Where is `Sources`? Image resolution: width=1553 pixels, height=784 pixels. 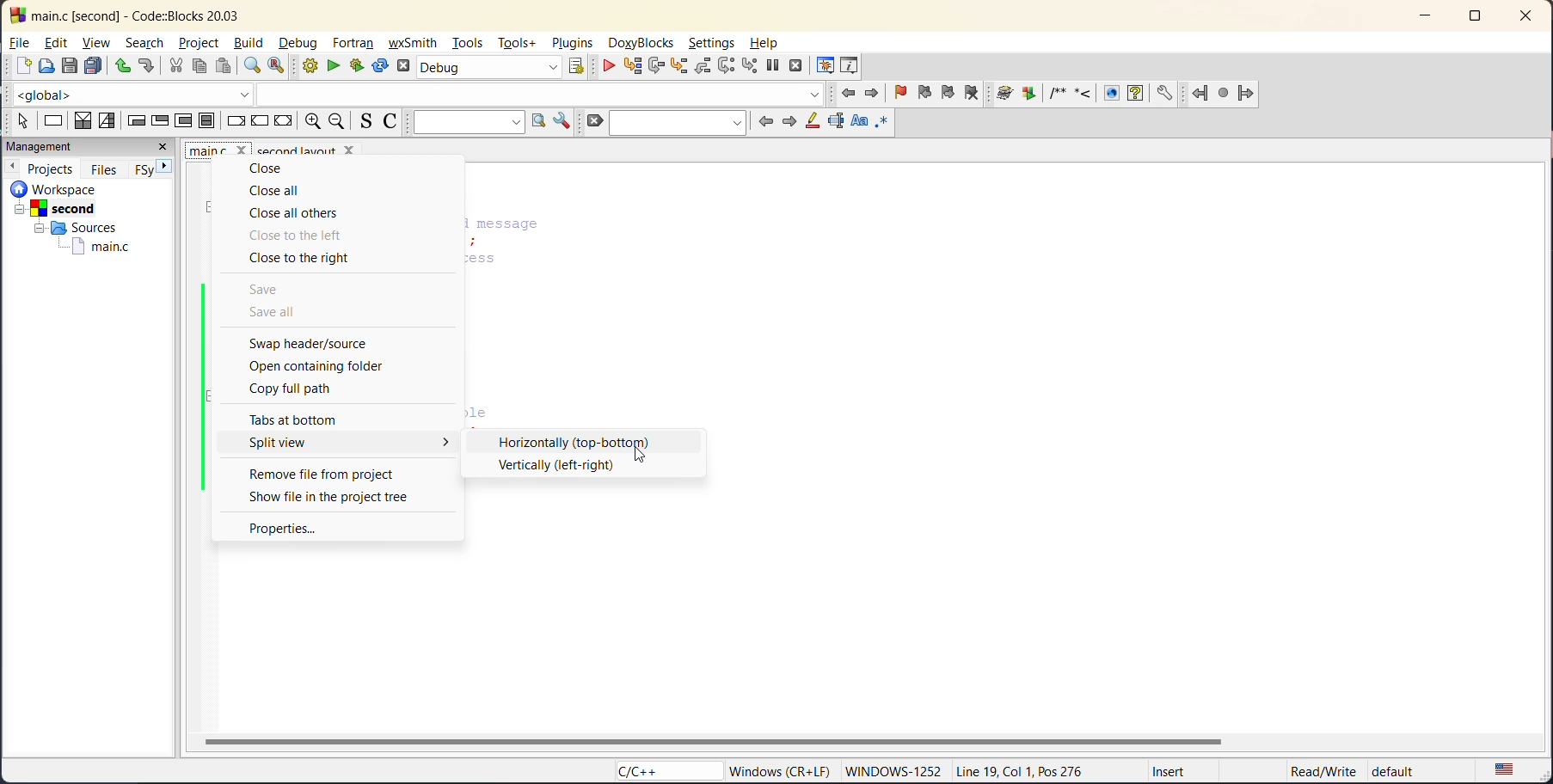 Sources is located at coordinates (71, 227).